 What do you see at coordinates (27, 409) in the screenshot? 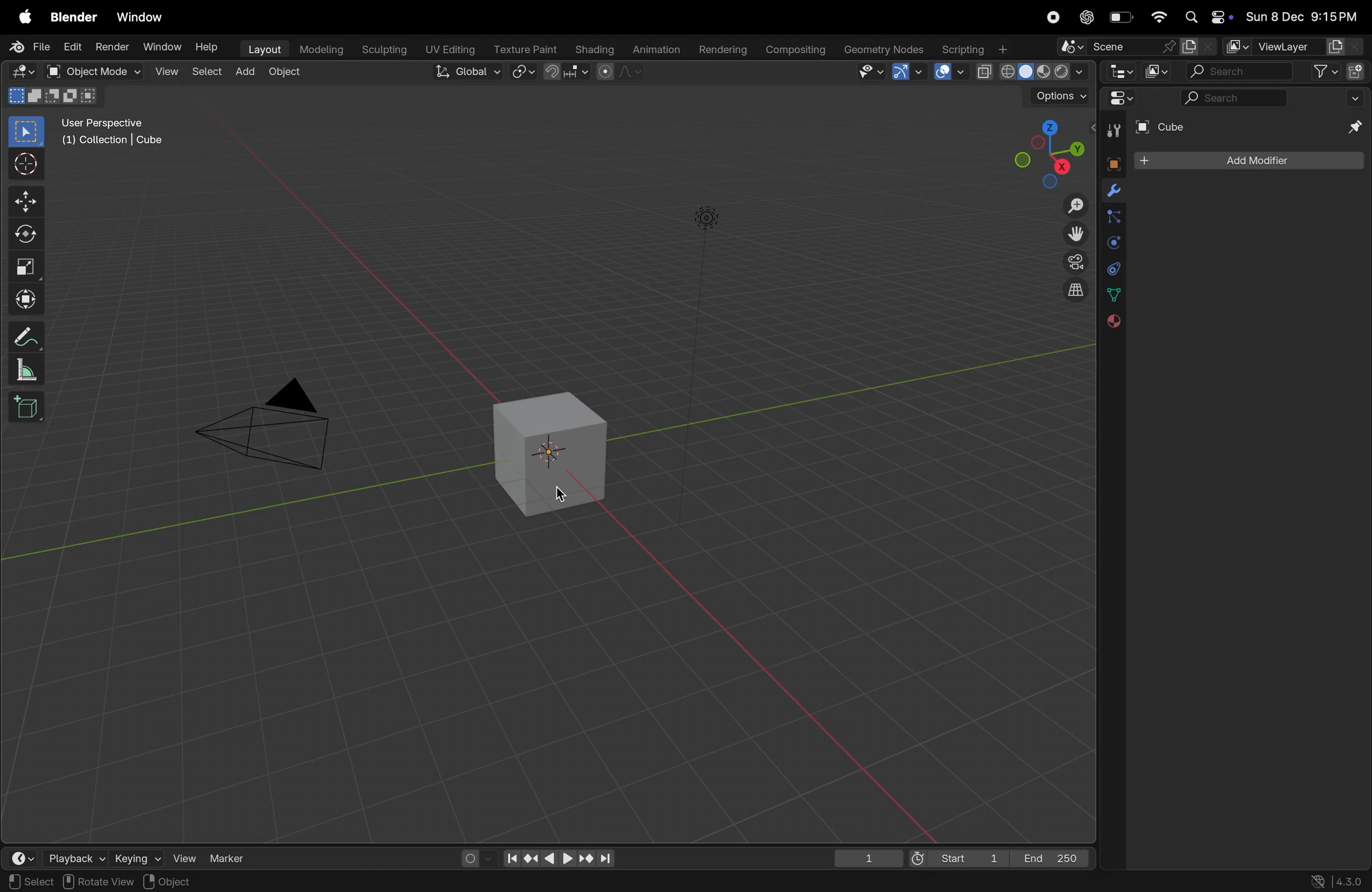
I see `add cube` at bounding box center [27, 409].